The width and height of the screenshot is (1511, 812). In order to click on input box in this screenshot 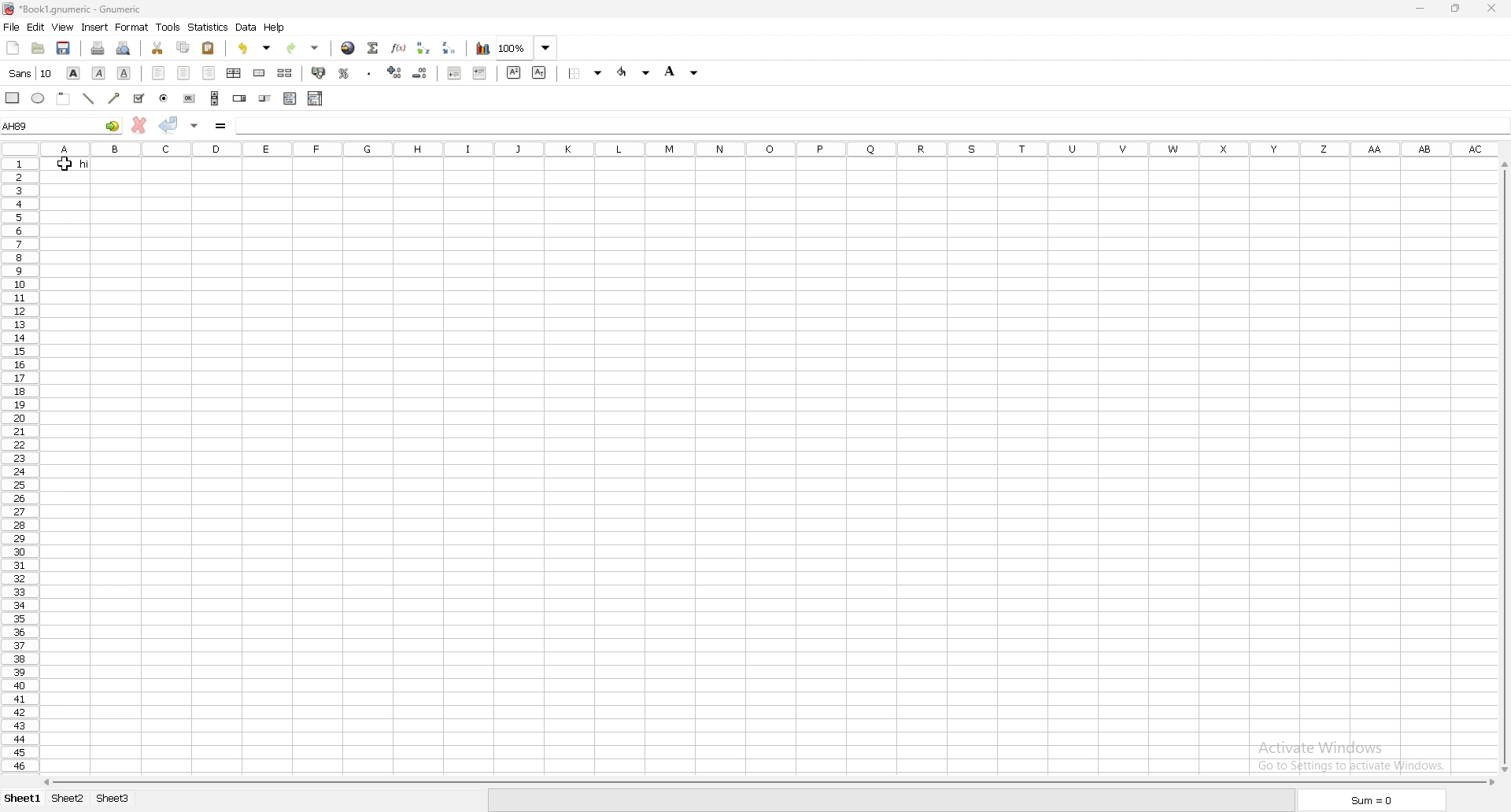, I will do `click(870, 123)`.